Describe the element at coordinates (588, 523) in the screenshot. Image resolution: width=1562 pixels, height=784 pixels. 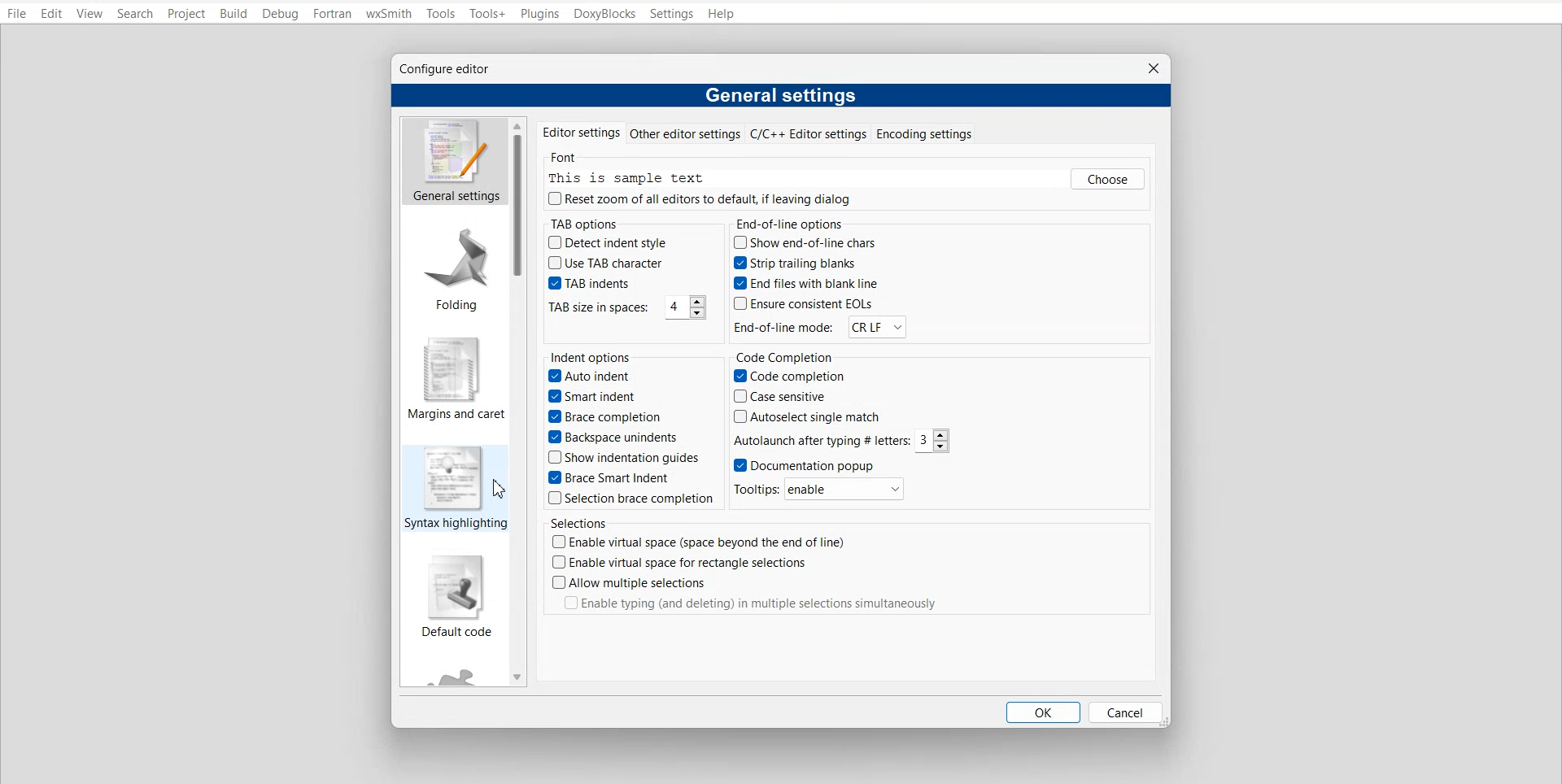
I see `Selections` at that location.